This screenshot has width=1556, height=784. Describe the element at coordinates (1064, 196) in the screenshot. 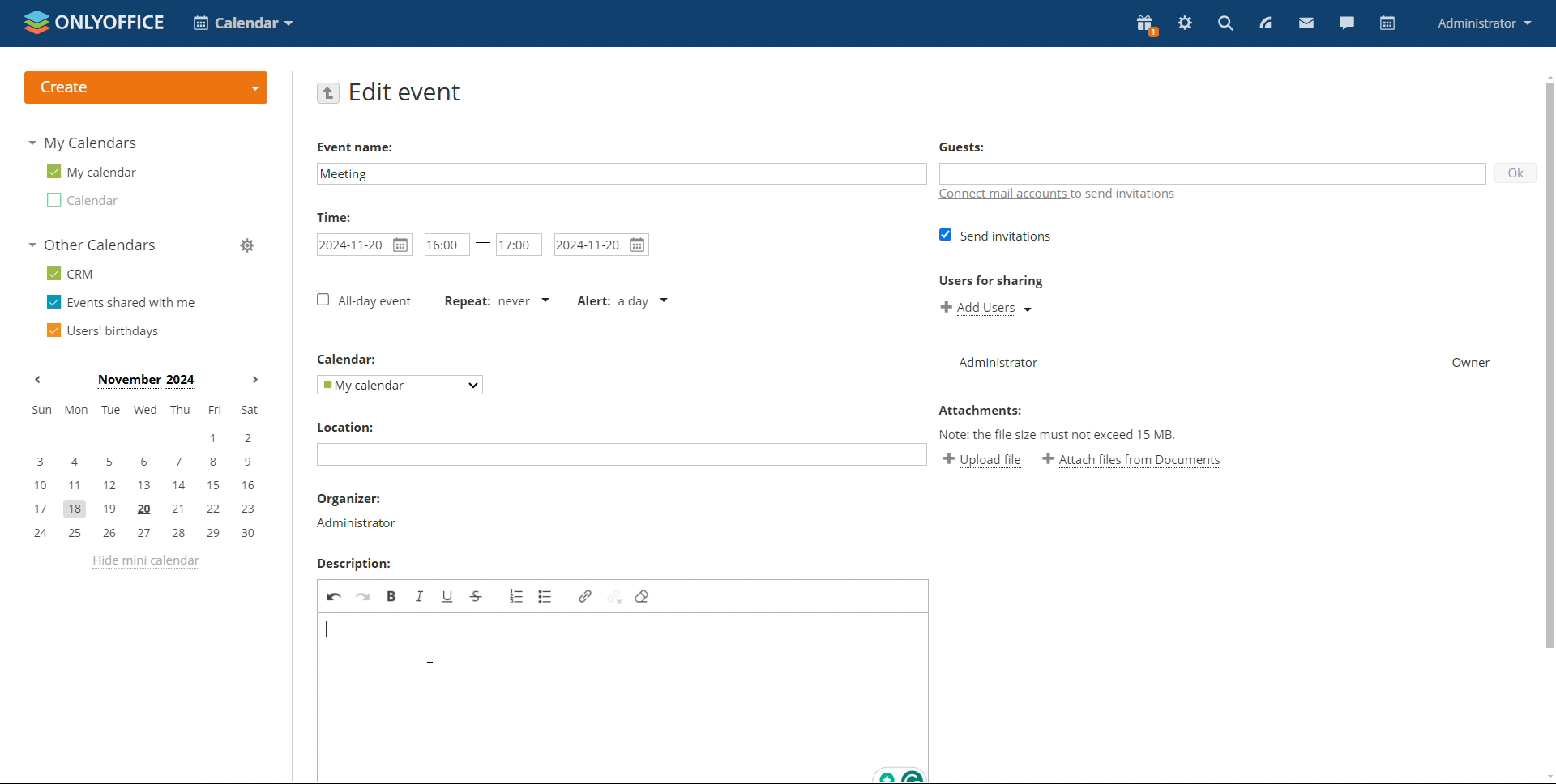

I see `connect mail accounts` at that location.